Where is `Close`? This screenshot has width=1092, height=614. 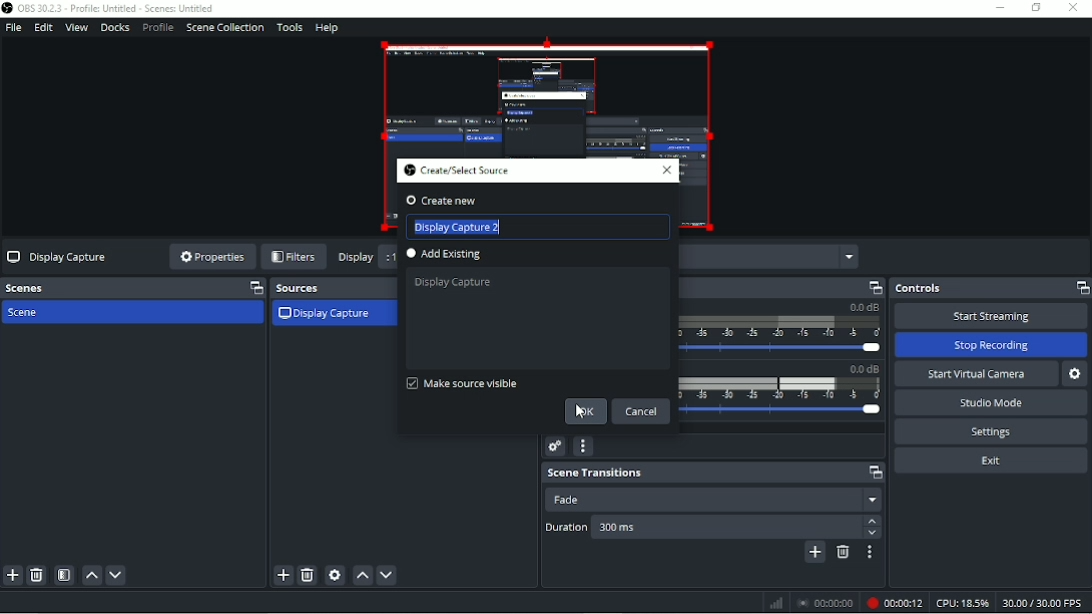 Close is located at coordinates (1075, 9).